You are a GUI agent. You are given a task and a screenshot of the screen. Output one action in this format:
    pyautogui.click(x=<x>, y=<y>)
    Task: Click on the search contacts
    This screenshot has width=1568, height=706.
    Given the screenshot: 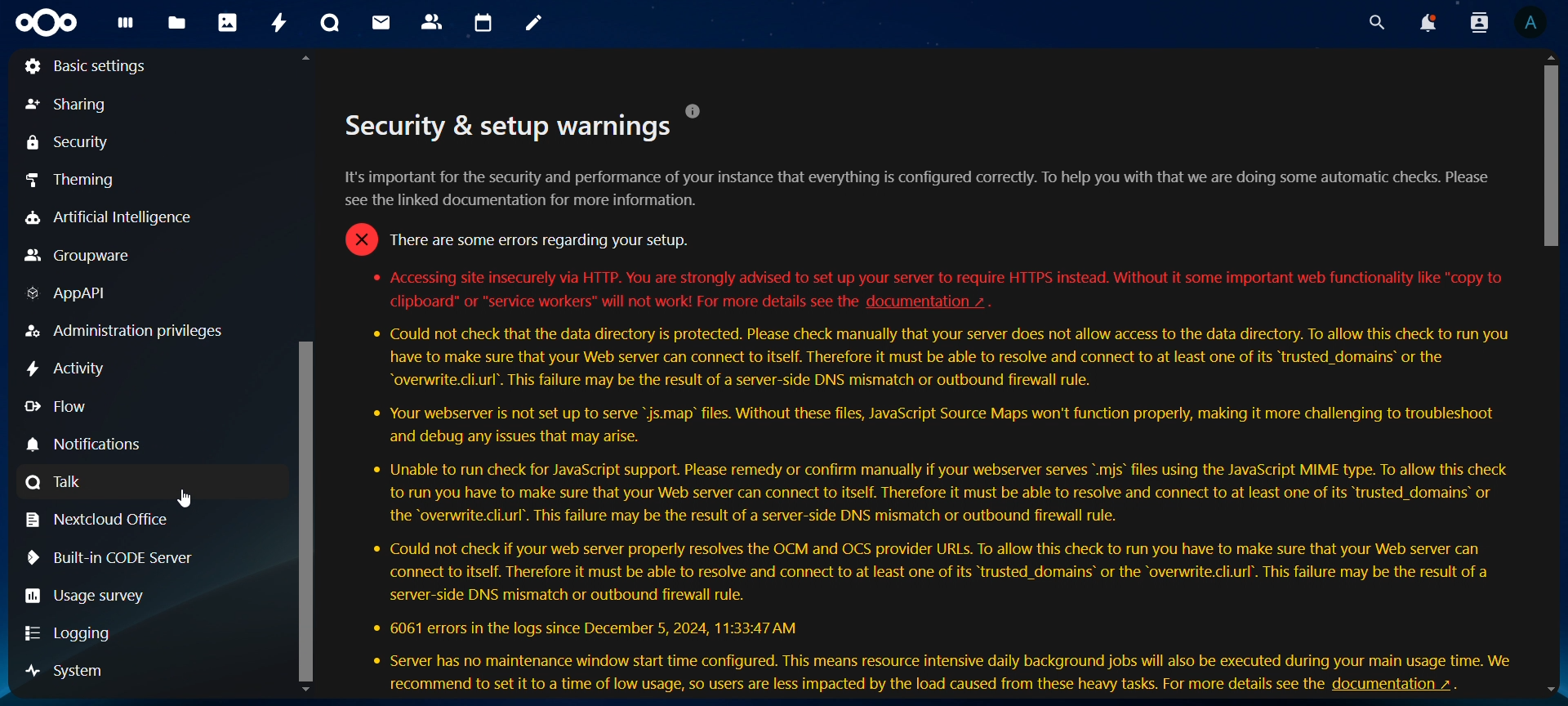 What is the action you would take?
    pyautogui.click(x=1479, y=25)
    